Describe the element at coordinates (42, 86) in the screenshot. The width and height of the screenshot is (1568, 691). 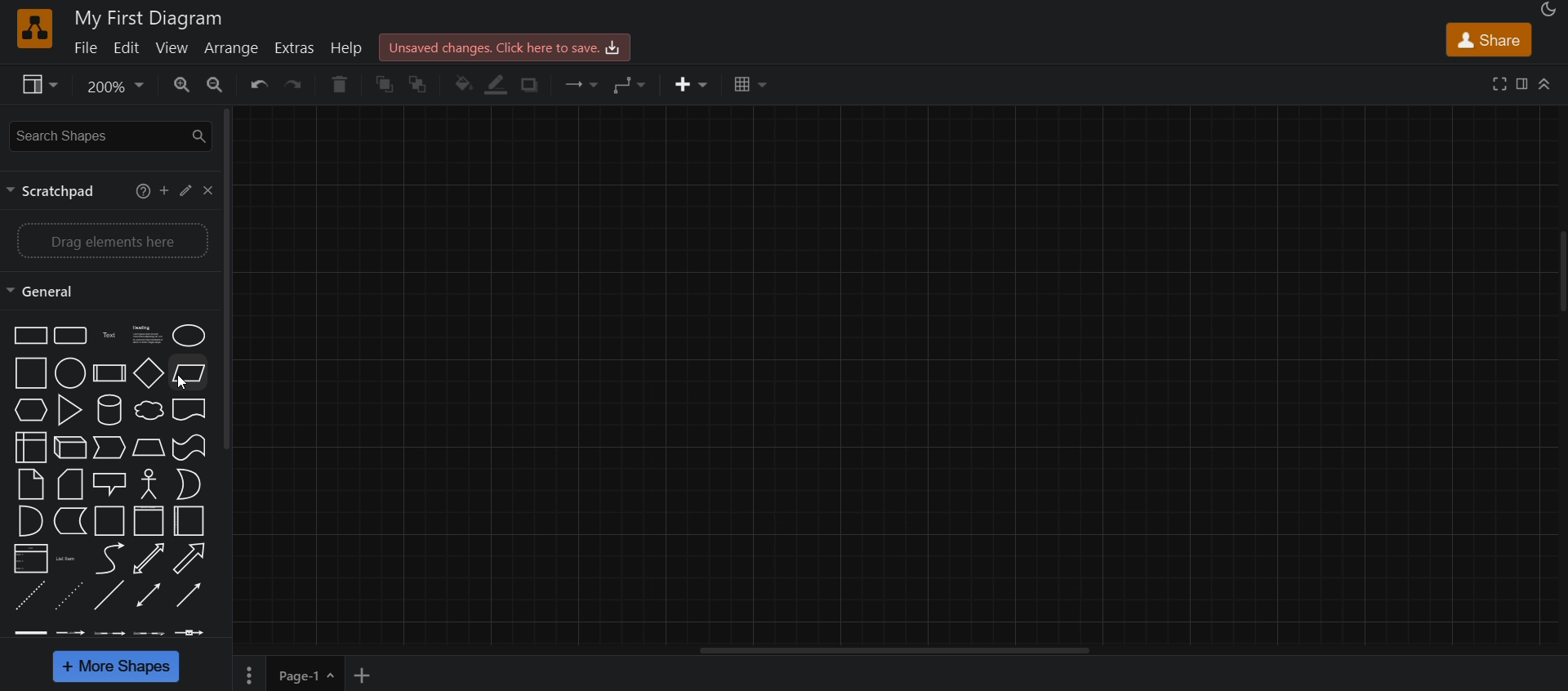
I see `view` at that location.